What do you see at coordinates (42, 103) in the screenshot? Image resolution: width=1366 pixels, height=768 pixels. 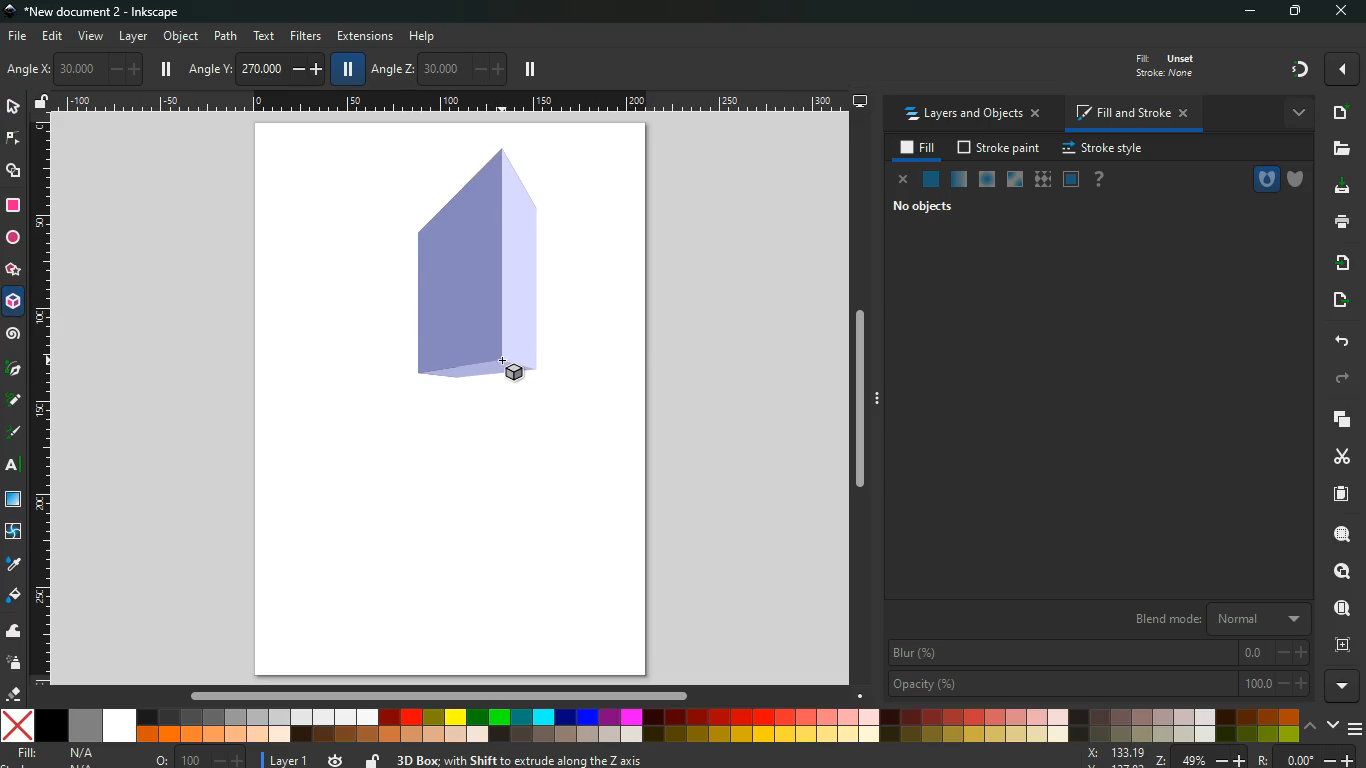 I see `unlock` at bounding box center [42, 103].